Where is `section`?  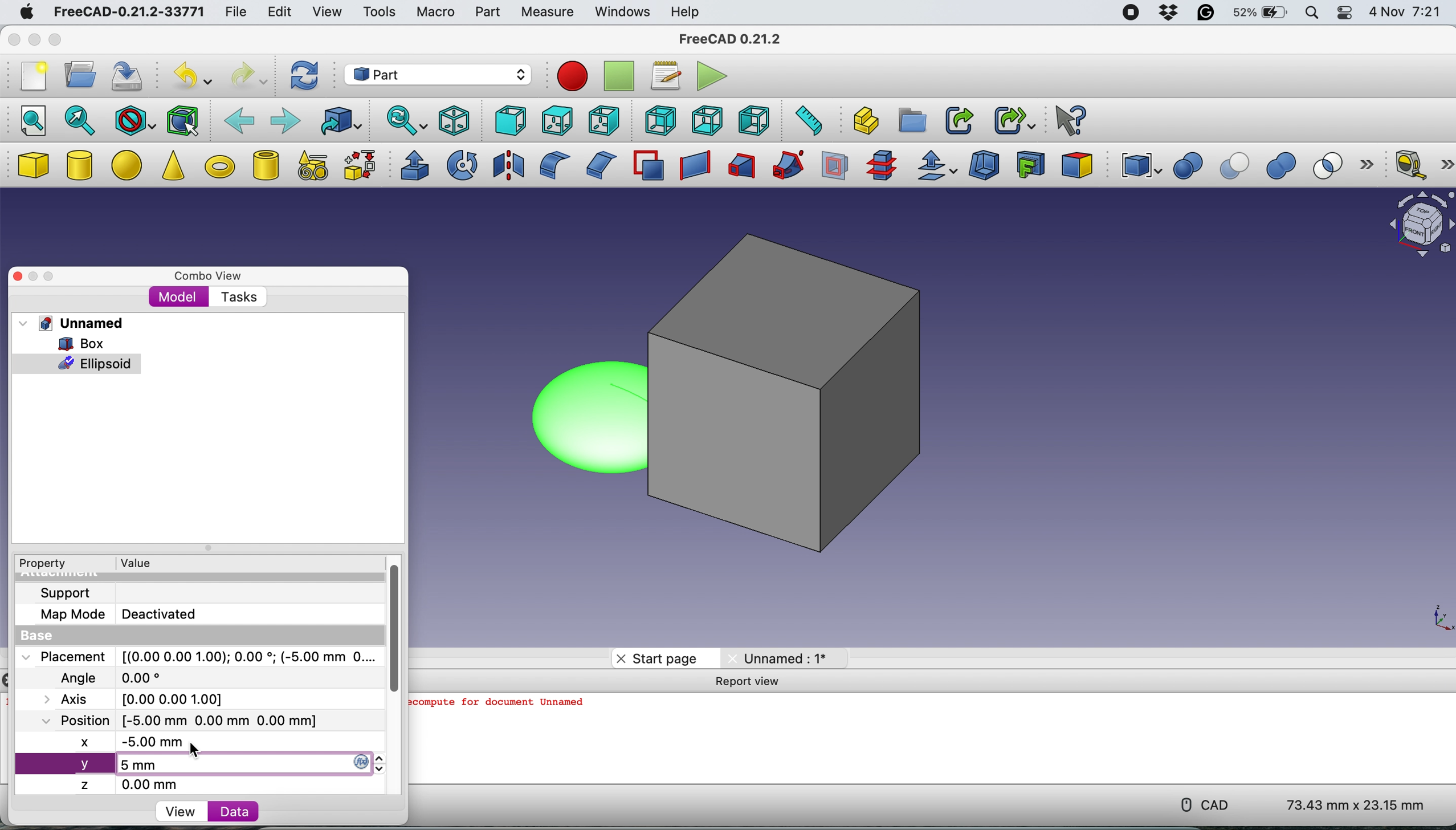
section is located at coordinates (835, 169).